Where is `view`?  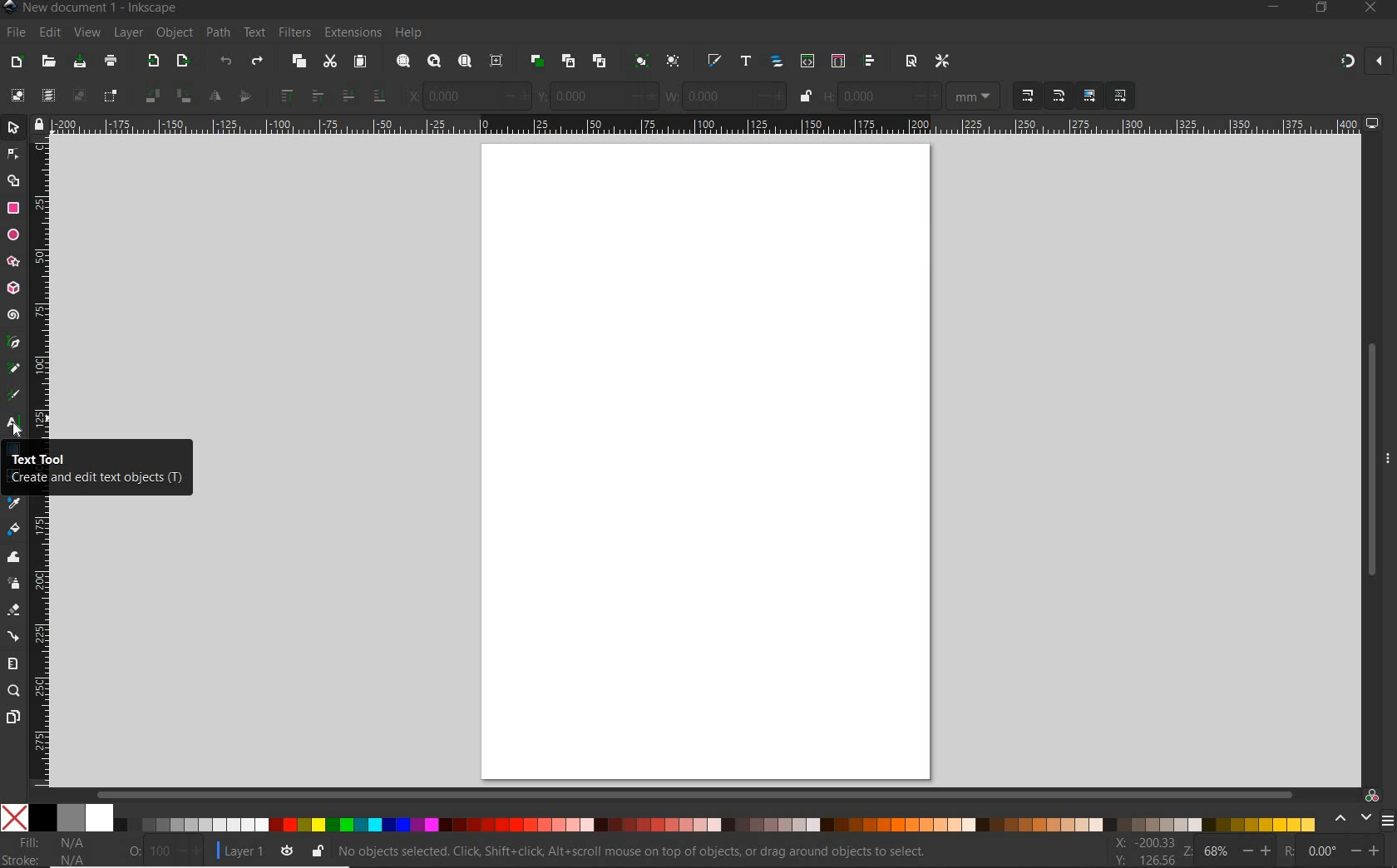
view is located at coordinates (86, 33).